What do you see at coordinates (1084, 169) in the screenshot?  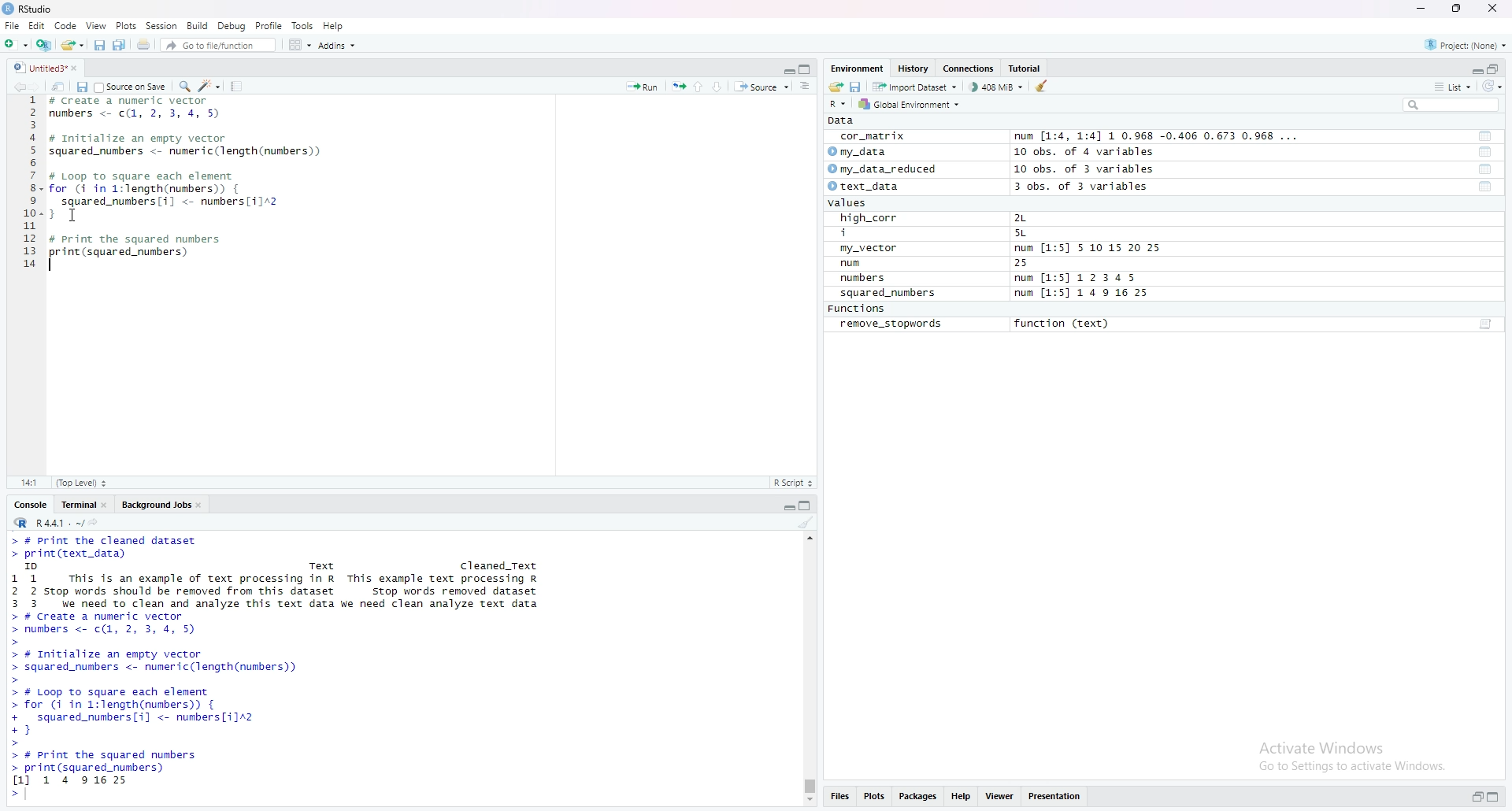 I see `10 obs. of 3 variables` at bounding box center [1084, 169].